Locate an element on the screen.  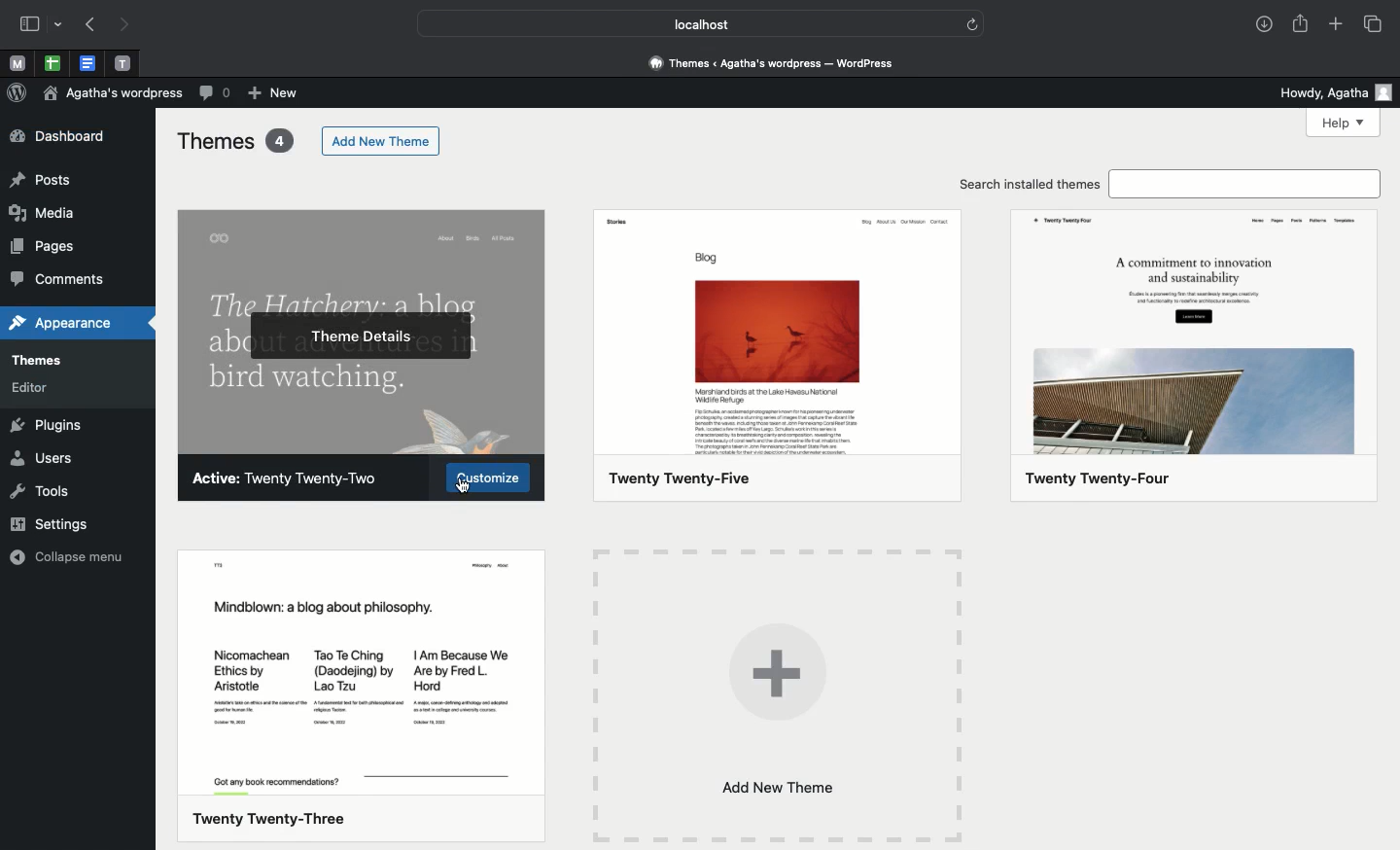
Collapse menu is located at coordinates (67, 556).